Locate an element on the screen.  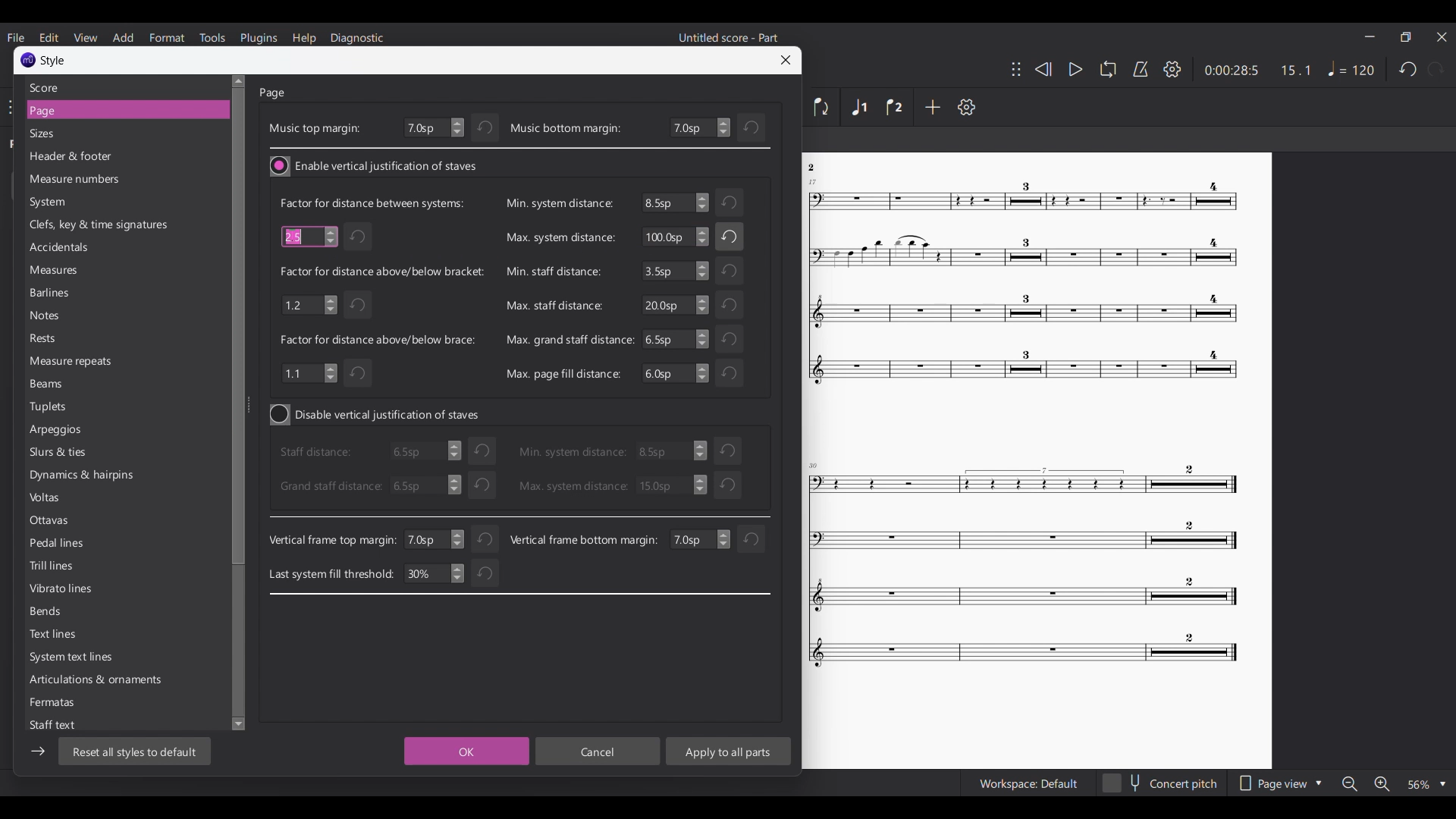
Max. system distance is located at coordinates (559, 239).